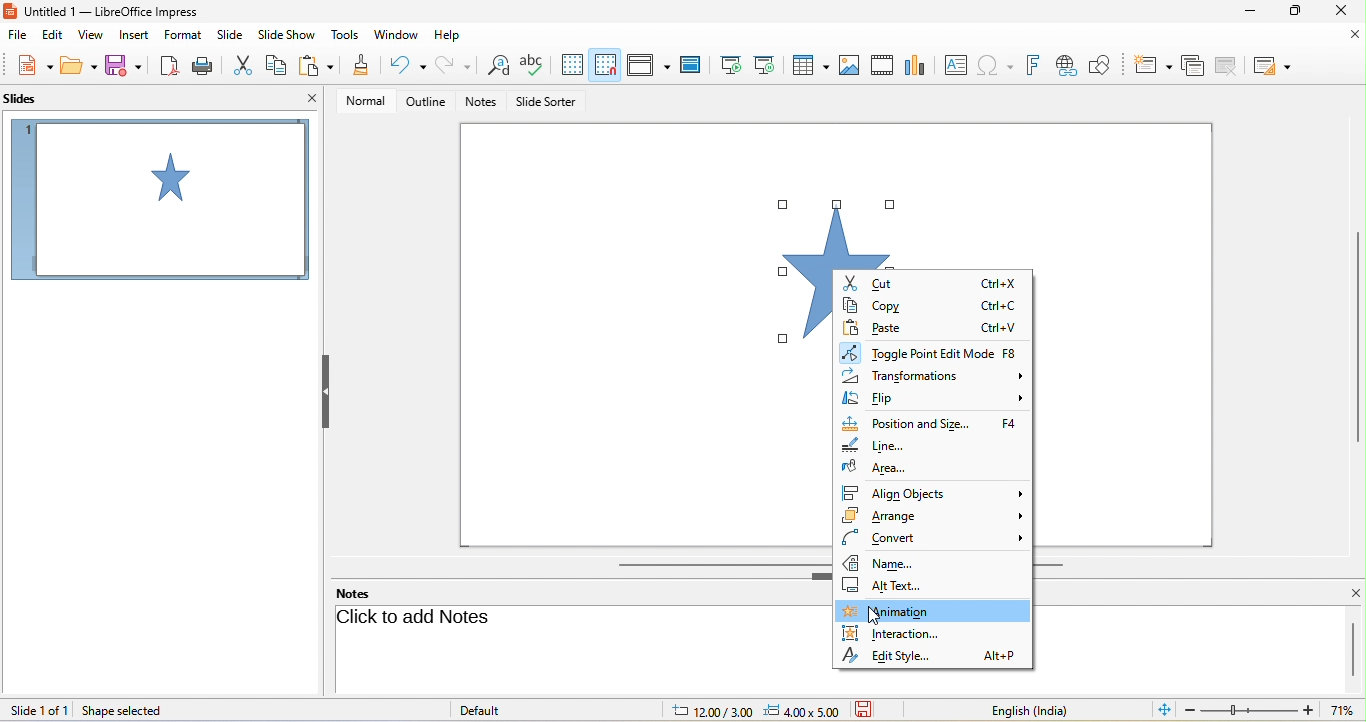  What do you see at coordinates (957, 64) in the screenshot?
I see `text box` at bounding box center [957, 64].